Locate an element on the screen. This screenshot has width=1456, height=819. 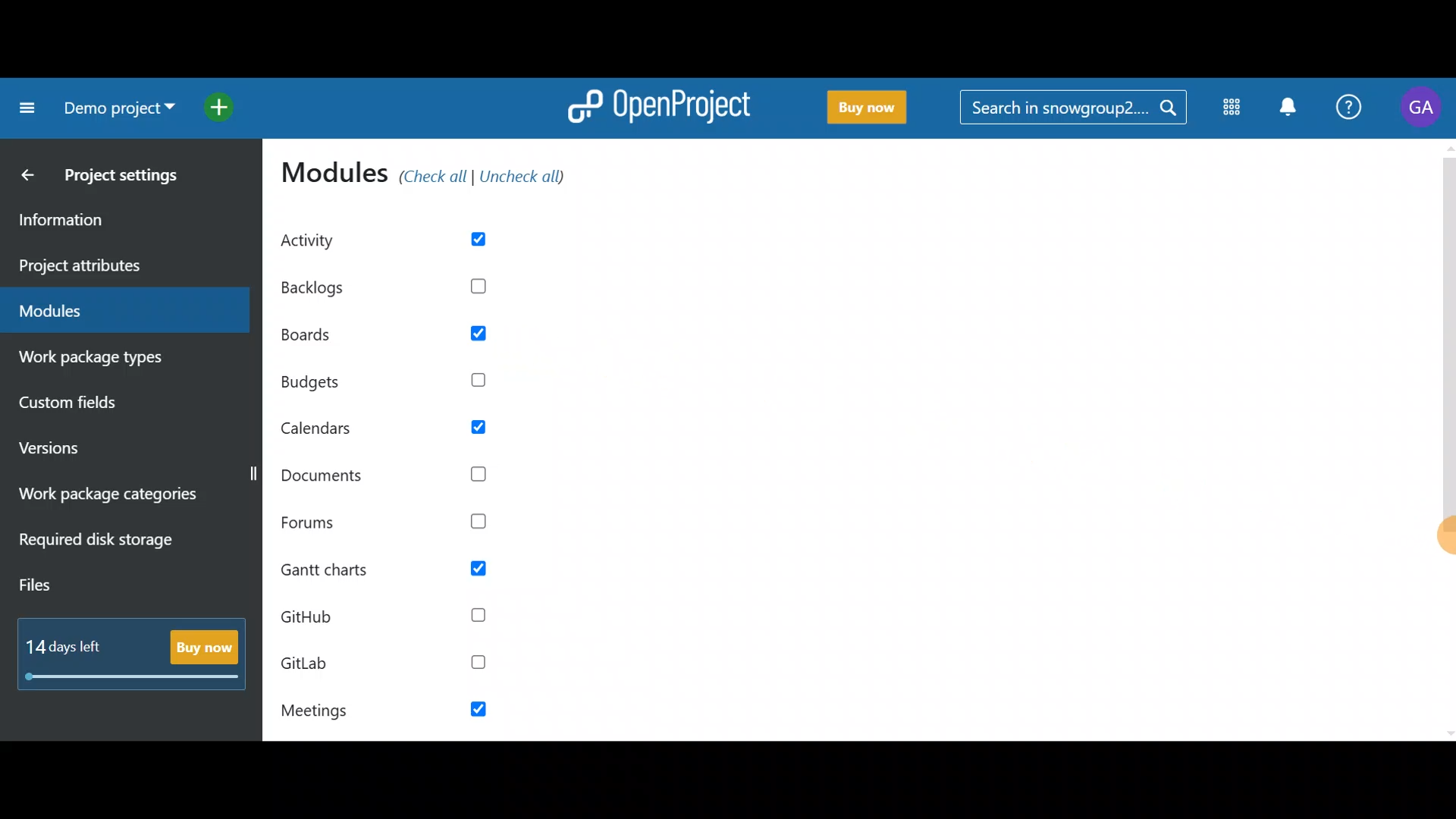
Collapse project menu is located at coordinates (24, 111).